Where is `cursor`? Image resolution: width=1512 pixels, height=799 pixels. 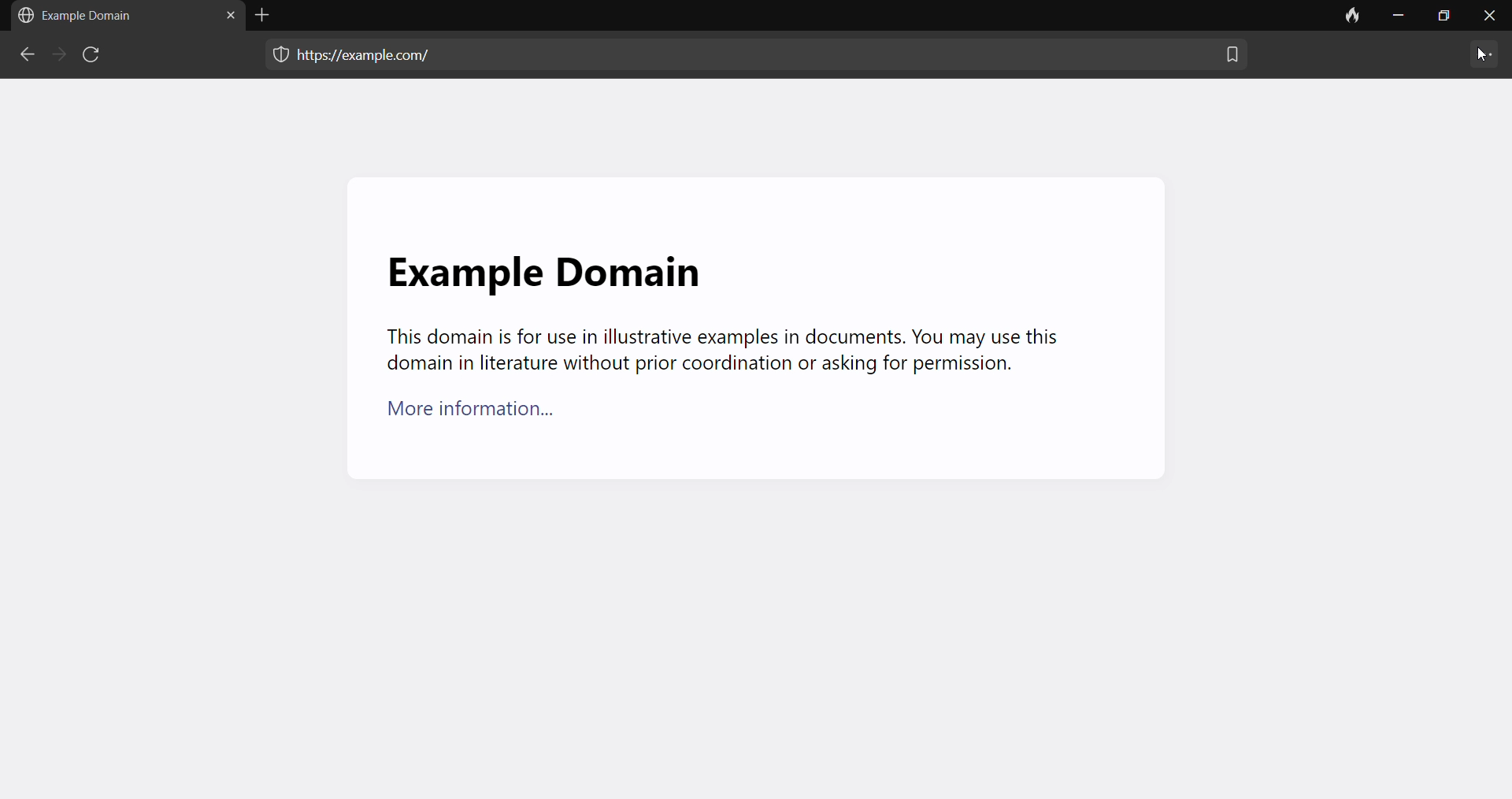 cursor is located at coordinates (1477, 56).